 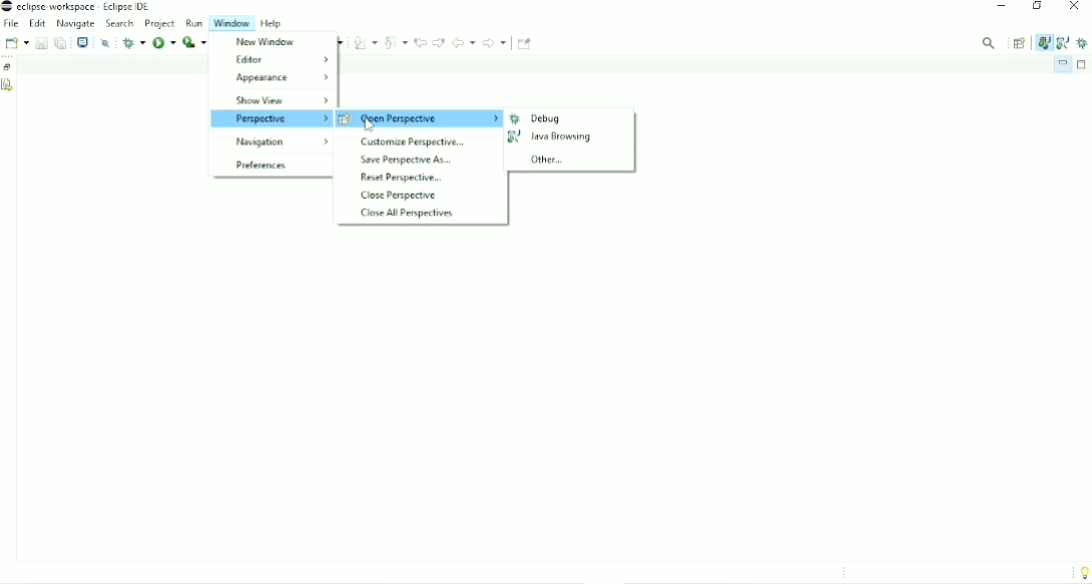 I want to click on Close Perspective, so click(x=399, y=196).